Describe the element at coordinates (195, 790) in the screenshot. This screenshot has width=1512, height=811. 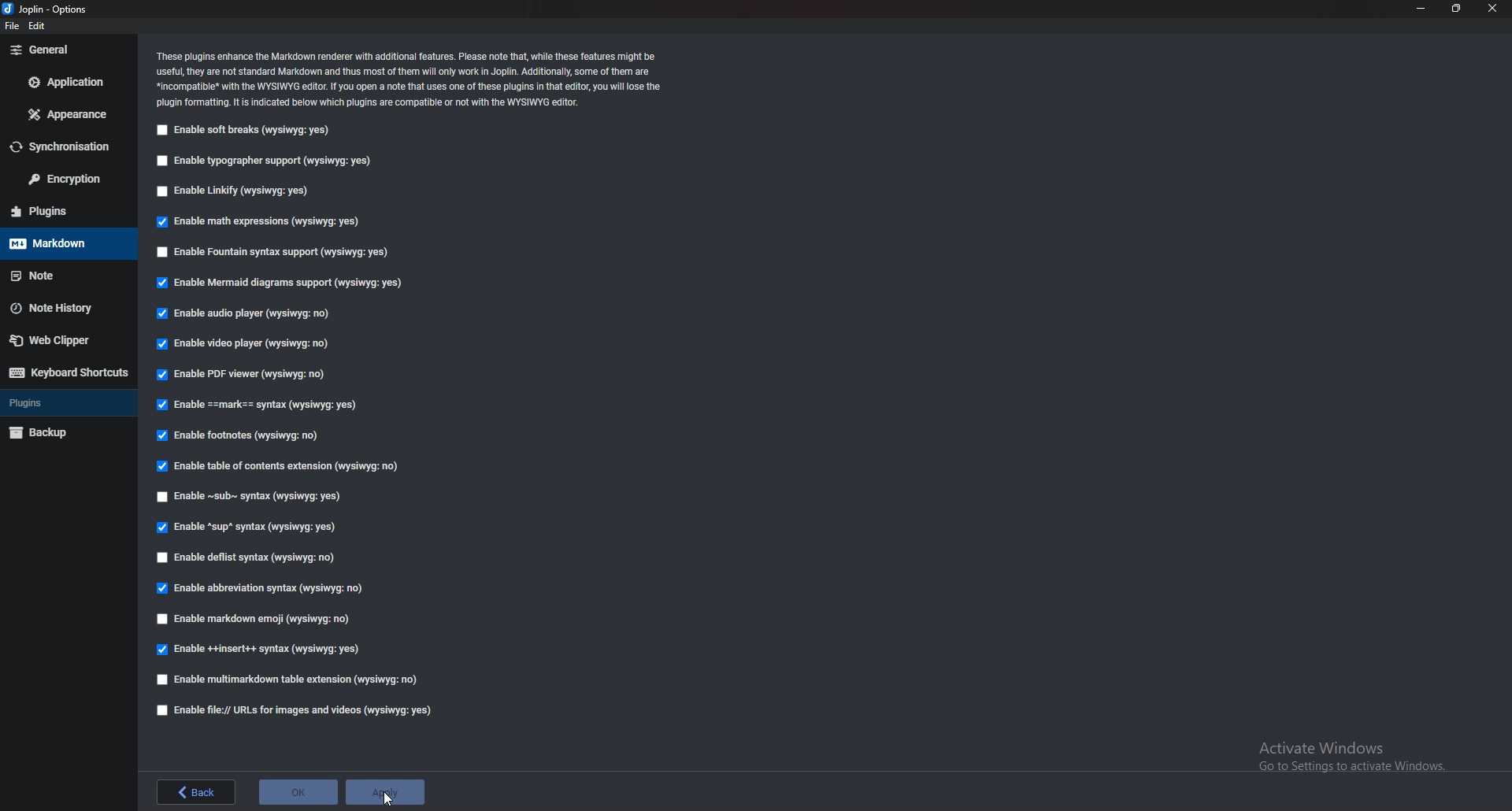
I see `back` at that location.